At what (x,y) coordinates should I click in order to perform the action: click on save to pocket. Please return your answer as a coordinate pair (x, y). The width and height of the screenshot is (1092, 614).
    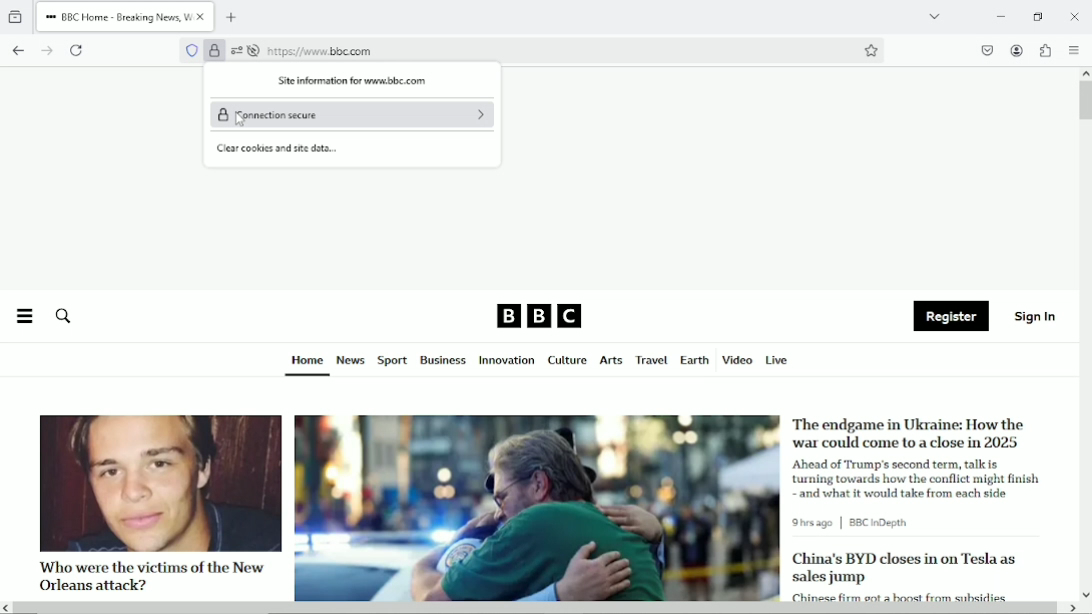
    Looking at the image, I should click on (986, 50).